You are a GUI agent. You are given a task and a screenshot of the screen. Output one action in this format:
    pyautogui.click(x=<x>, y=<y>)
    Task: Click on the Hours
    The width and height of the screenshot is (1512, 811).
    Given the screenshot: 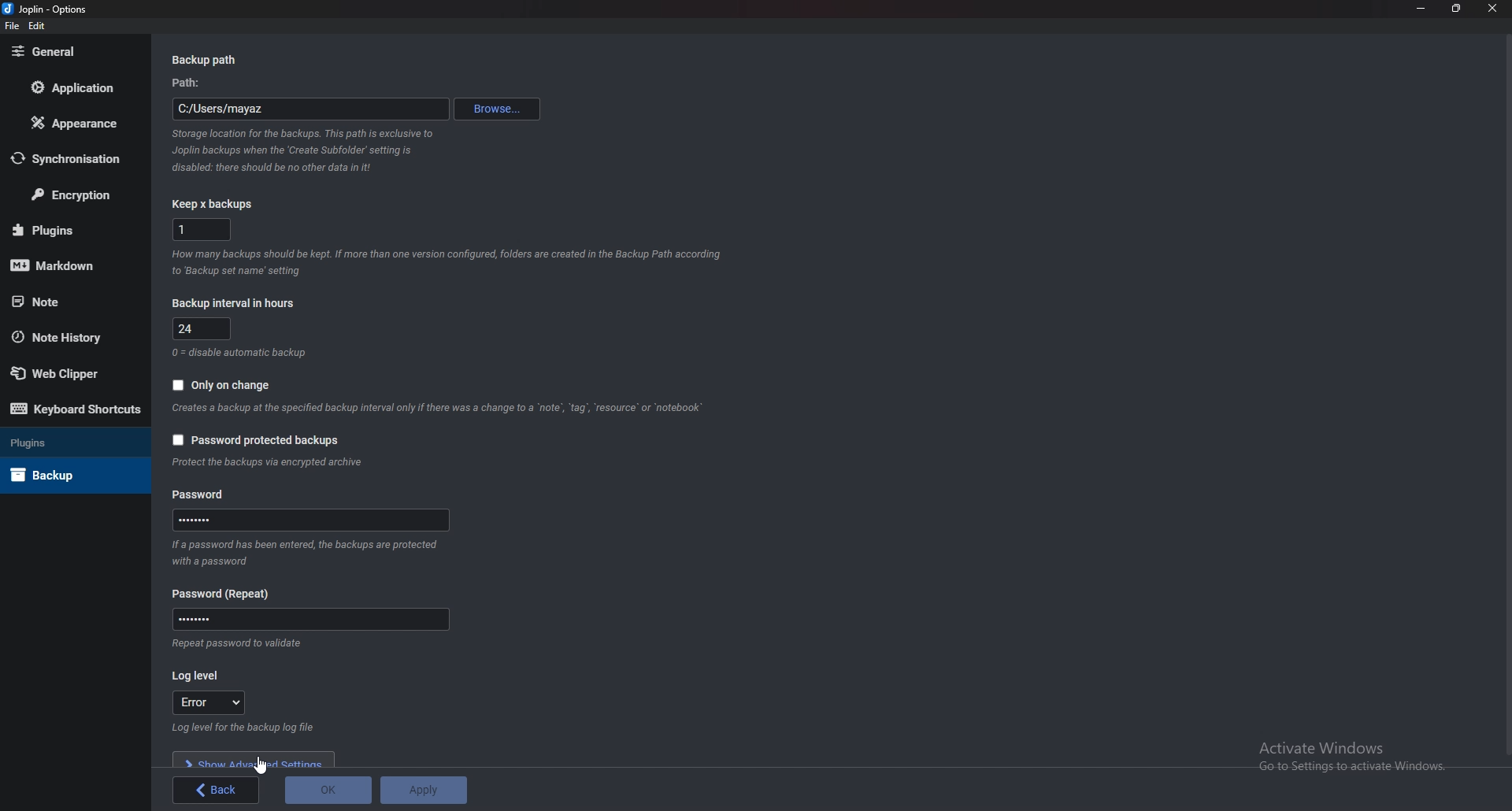 What is the action you would take?
    pyautogui.click(x=204, y=328)
    